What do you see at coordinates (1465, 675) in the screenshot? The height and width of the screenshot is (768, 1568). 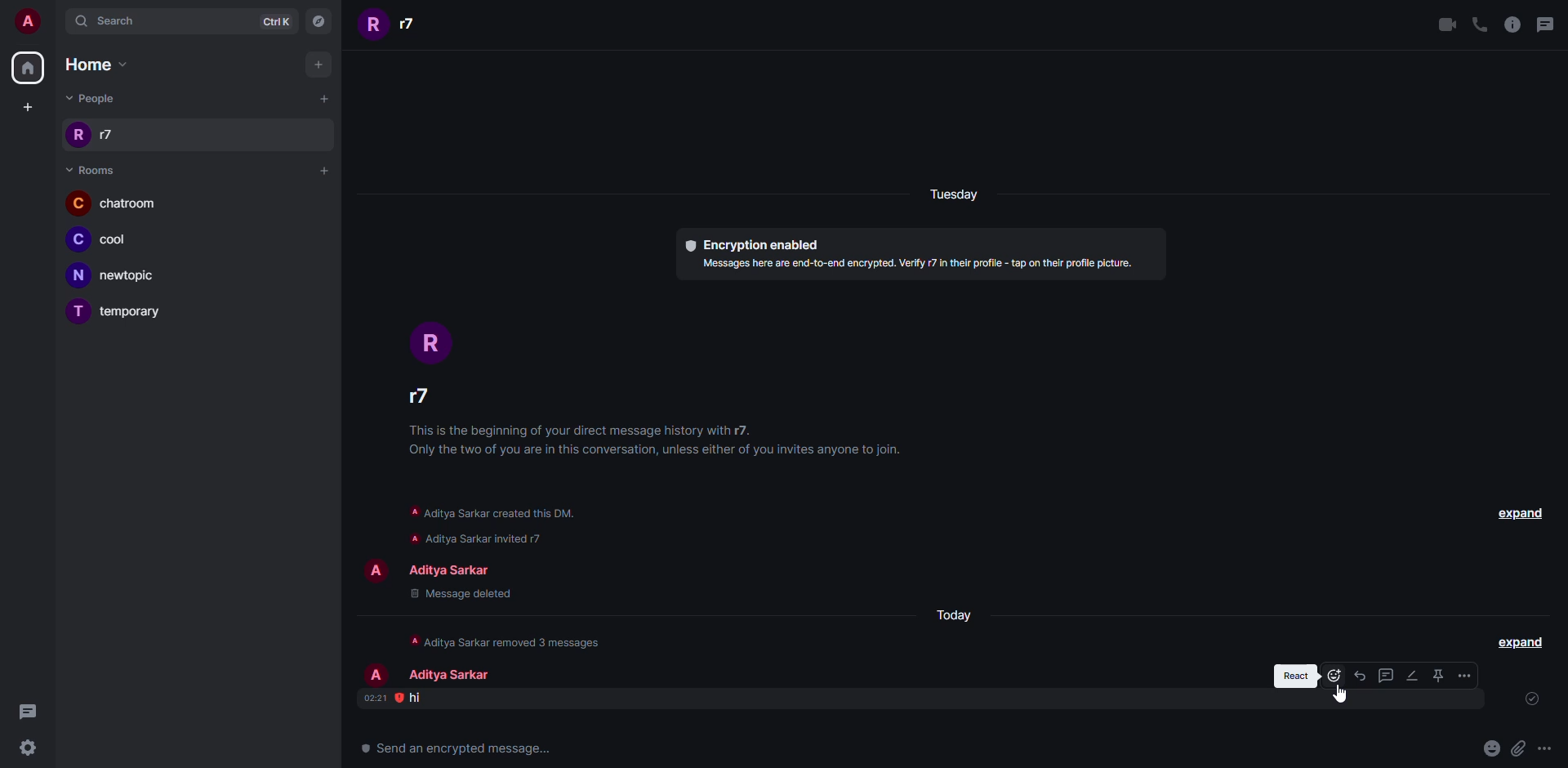 I see `options` at bounding box center [1465, 675].